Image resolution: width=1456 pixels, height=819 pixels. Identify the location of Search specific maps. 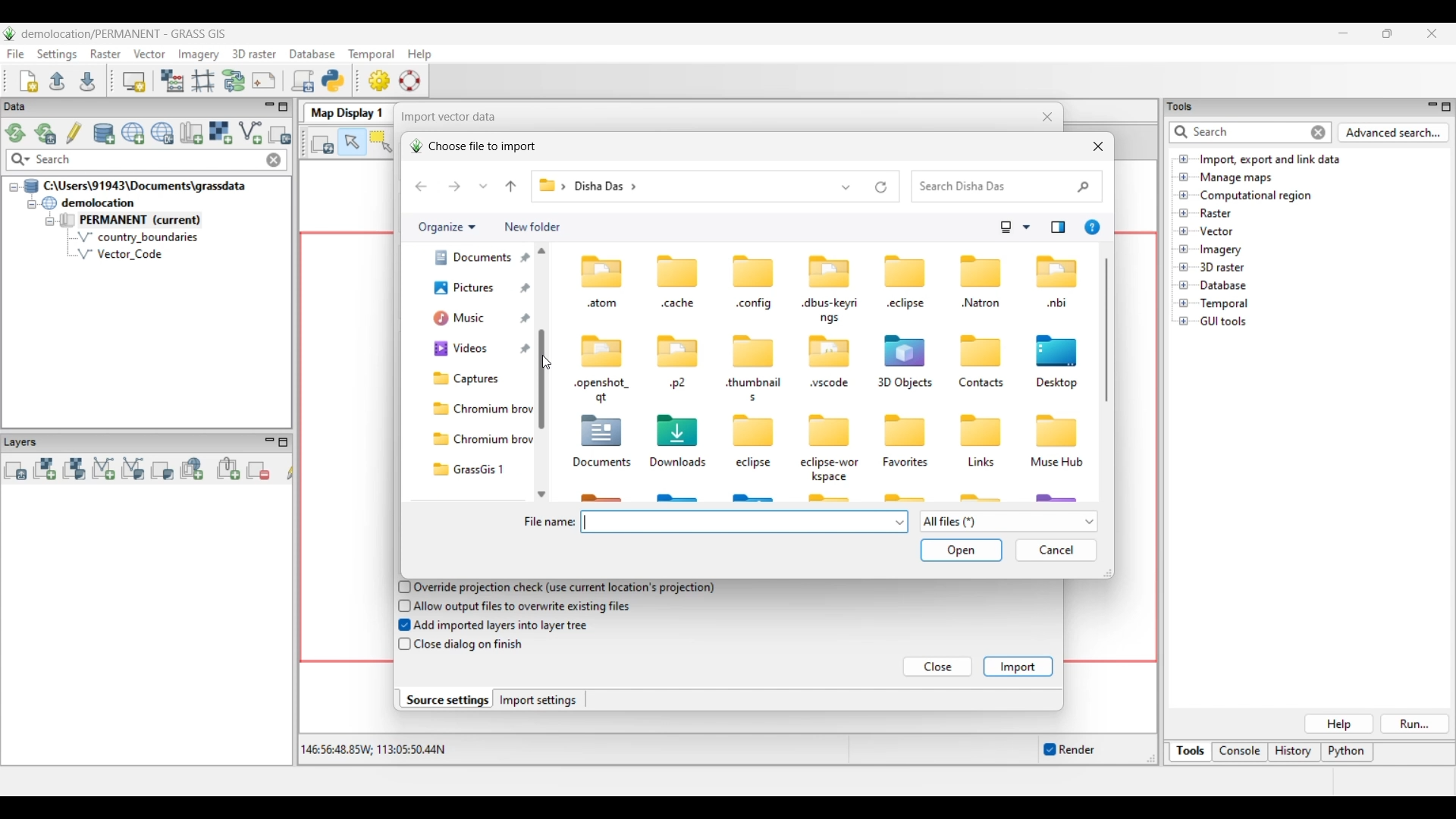
(19, 160).